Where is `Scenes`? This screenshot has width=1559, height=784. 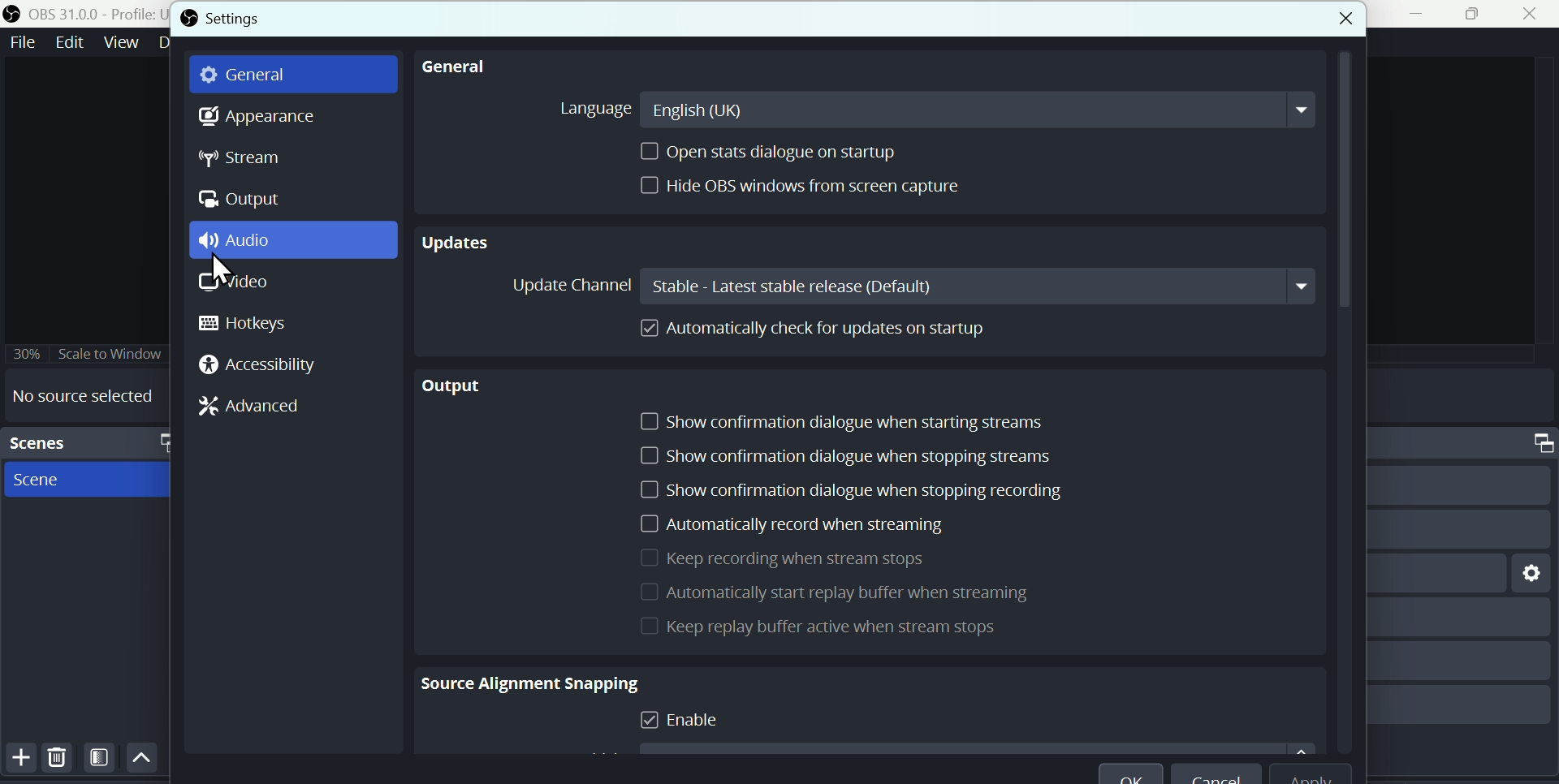 Scenes is located at coordinates (58, 442).